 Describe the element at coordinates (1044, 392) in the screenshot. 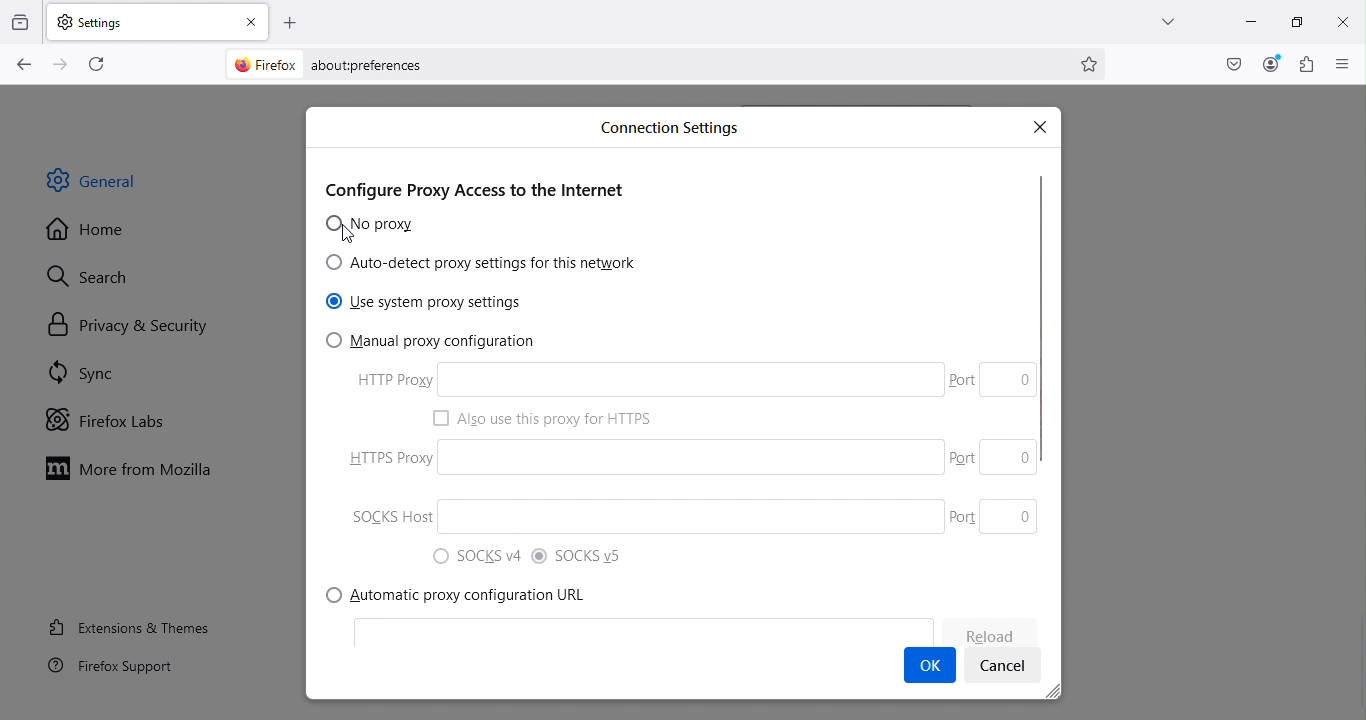

I see `Scroll bar` at that location.